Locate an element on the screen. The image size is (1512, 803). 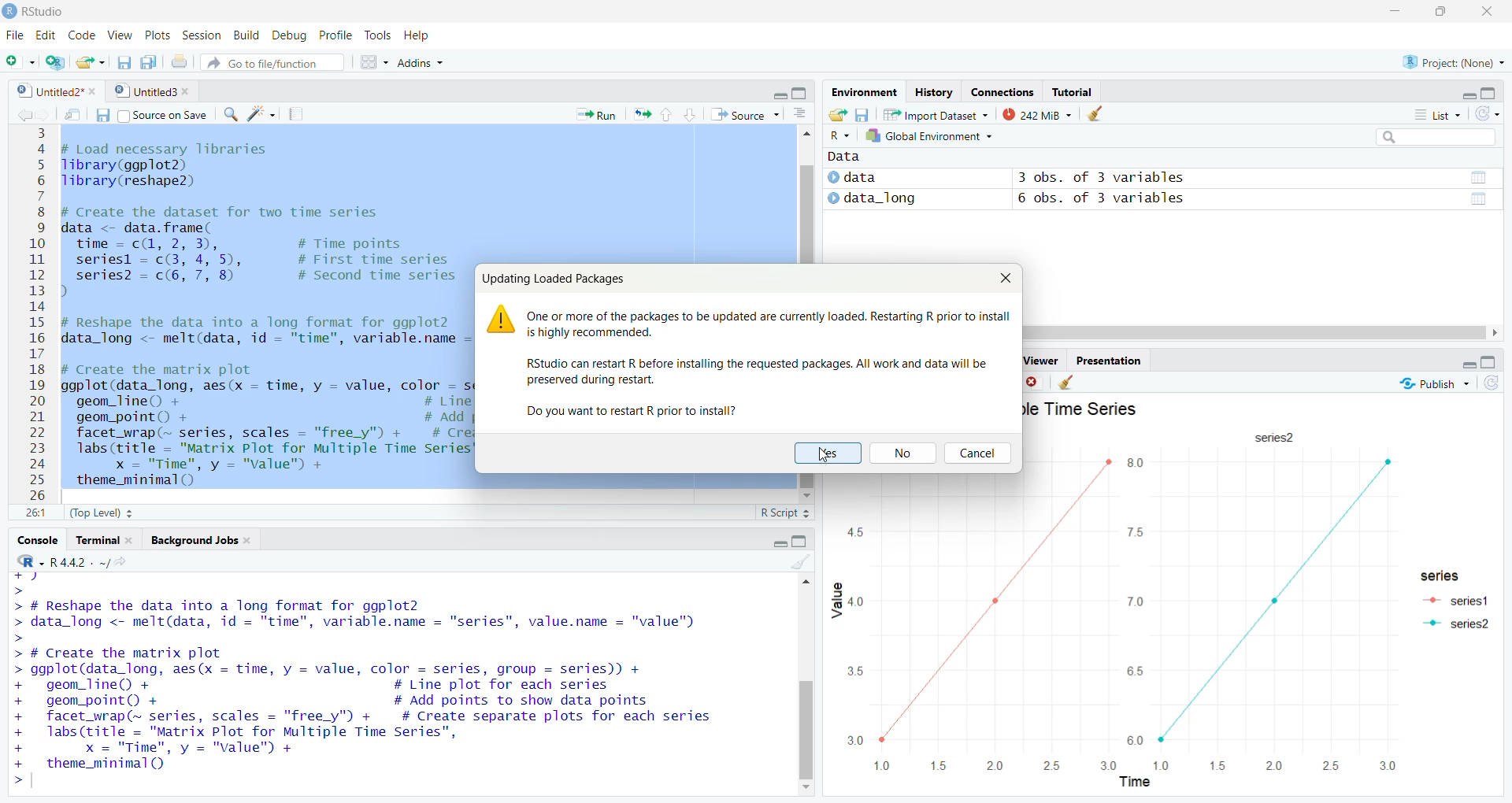
cleaner is located at coordinates (1102, 113).